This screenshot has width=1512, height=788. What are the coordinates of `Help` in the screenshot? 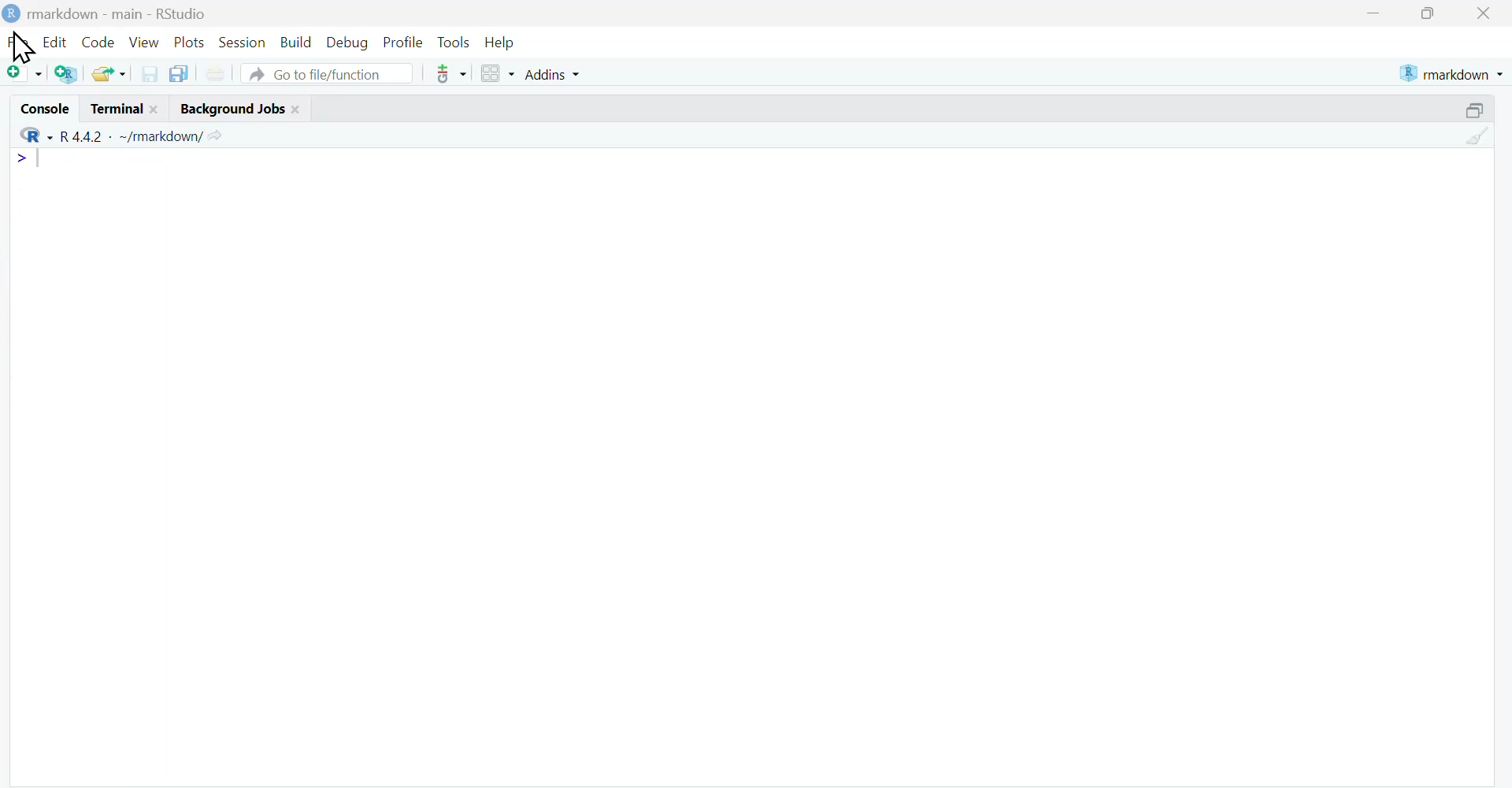 It's located at (500, 43).